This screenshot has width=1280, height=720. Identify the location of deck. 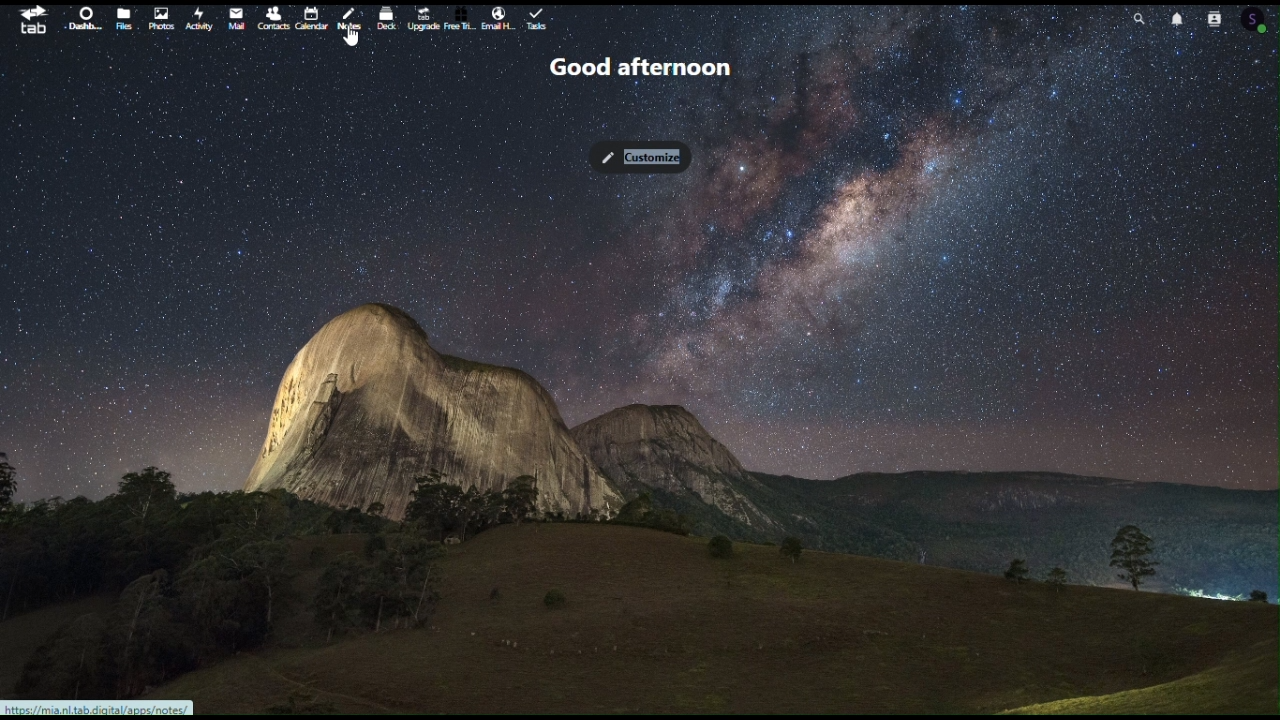
(387, 16).